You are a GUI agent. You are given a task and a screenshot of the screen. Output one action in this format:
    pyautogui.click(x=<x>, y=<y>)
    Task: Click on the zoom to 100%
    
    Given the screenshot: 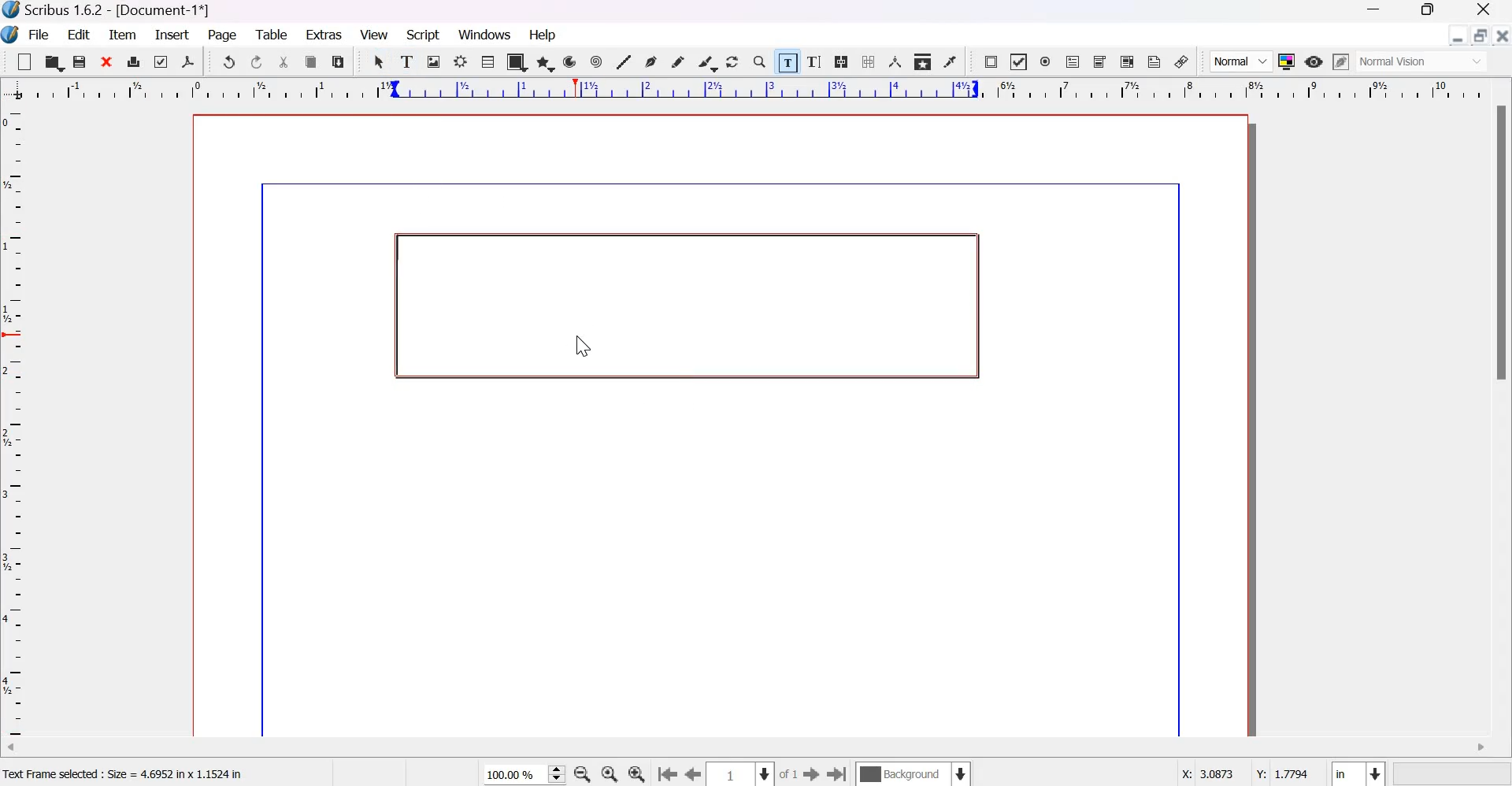 What is the action you would take?
    pyautogui.click(x=611, y=774)
    